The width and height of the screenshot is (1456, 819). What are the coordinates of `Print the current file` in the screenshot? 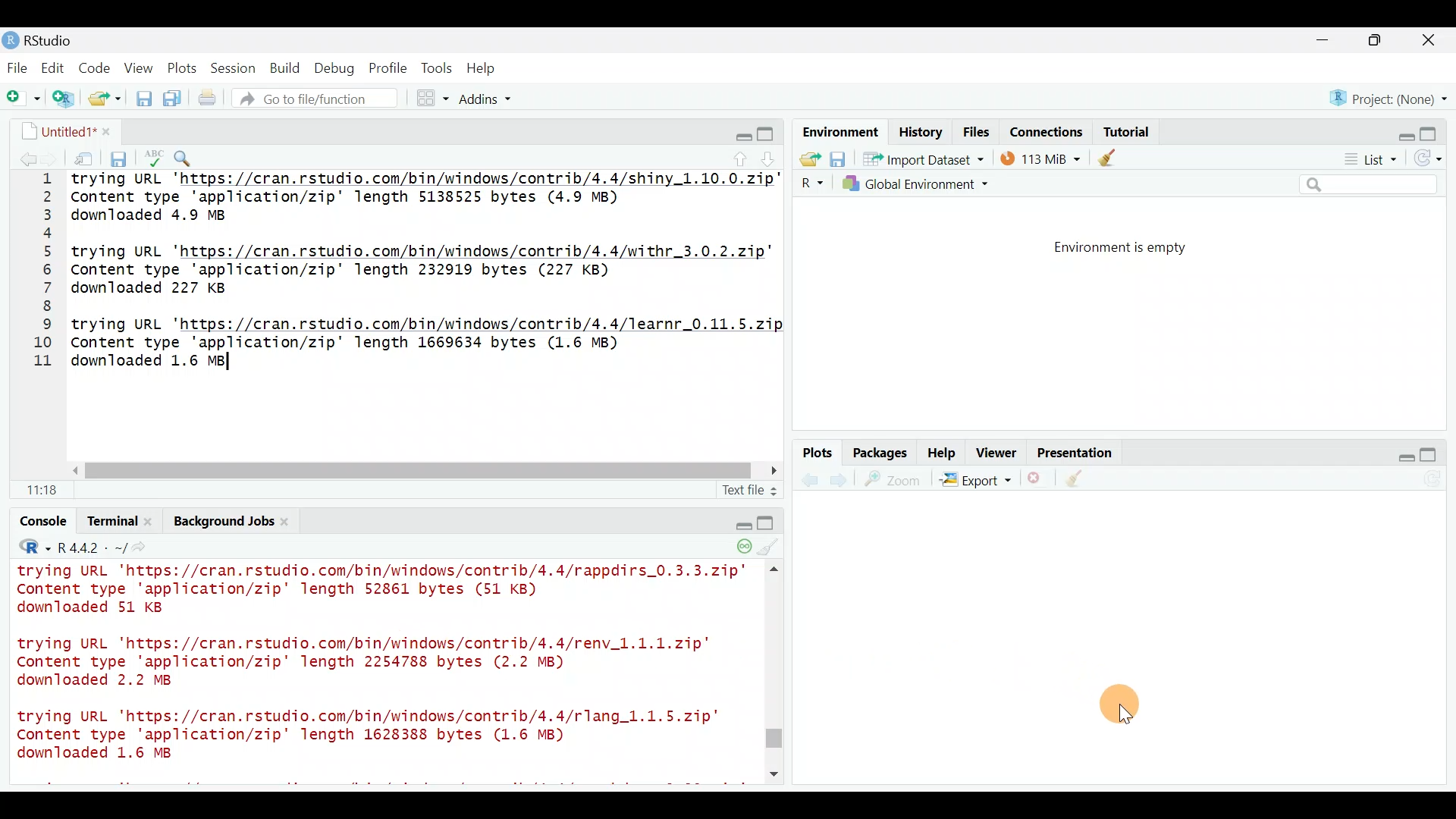 It's located at (209, 99).